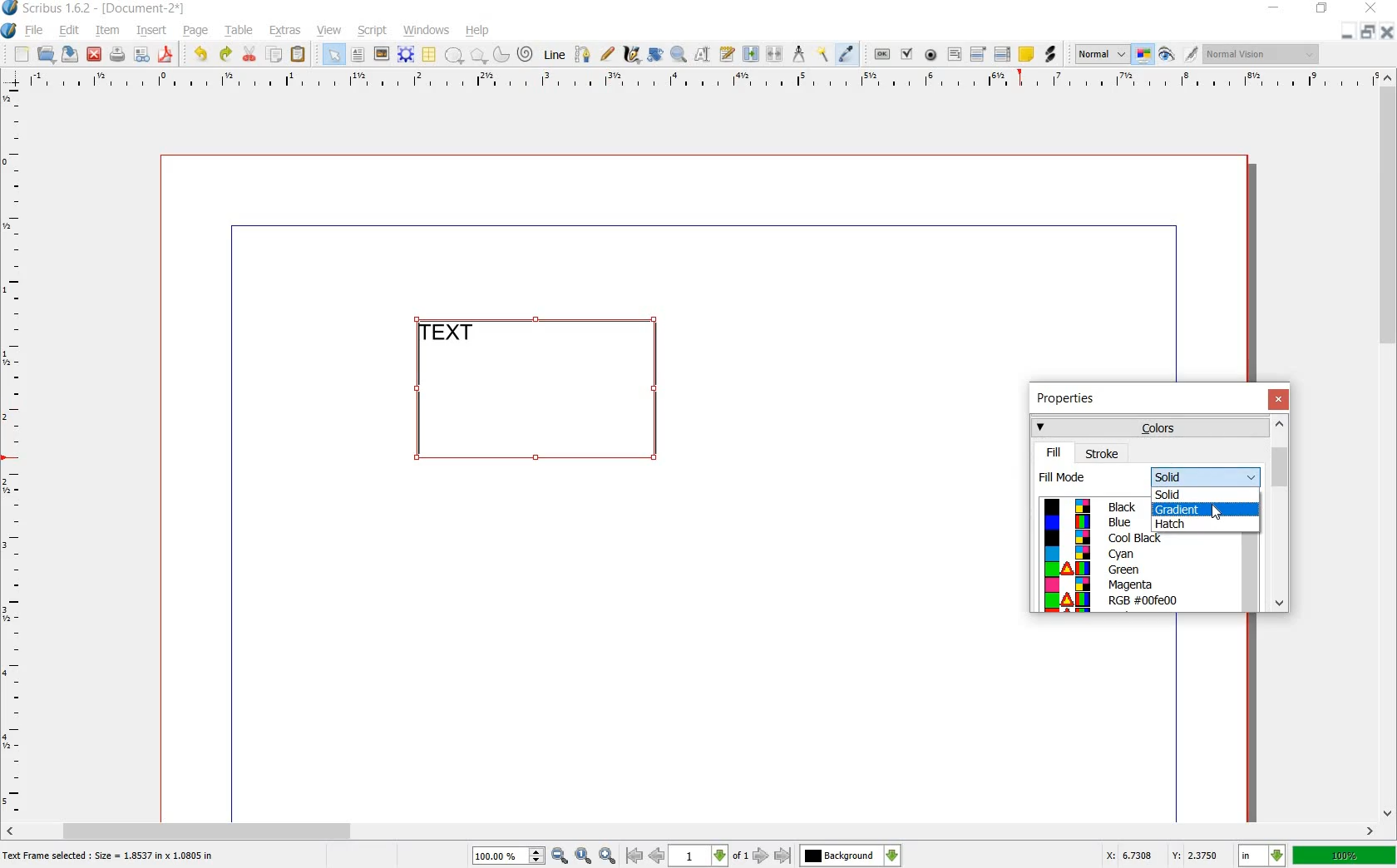 Image resolution: width=1397 pixels, height=868 pixels. What do you see at coordinates (851, 856) in the screenshot?
I see `Background` at bounding box center [851, 856].